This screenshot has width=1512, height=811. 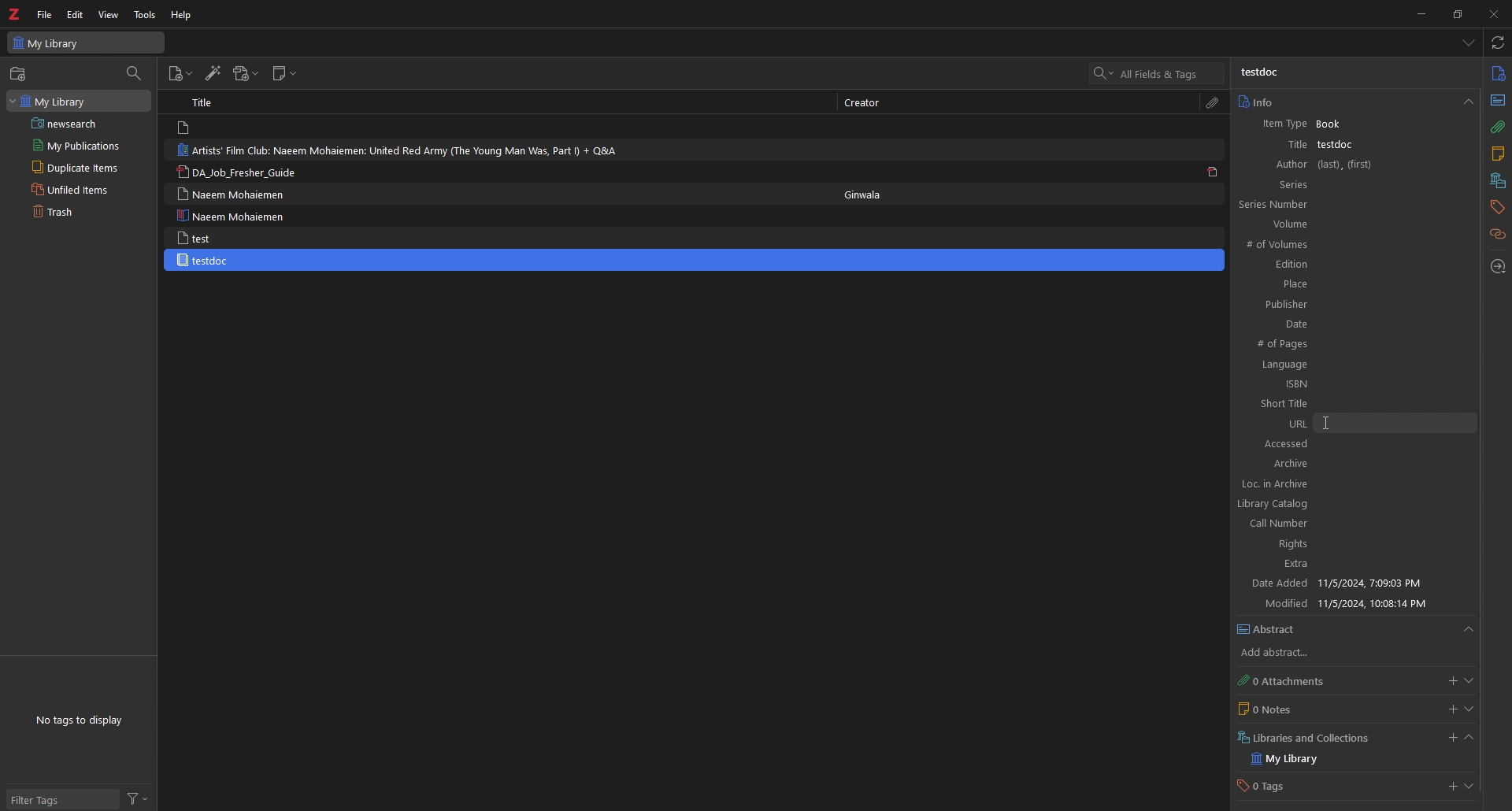 What do you see at coordinates (1346, 565) in the screenshot?
I see `Extra` at bounding box center [1346, 565].